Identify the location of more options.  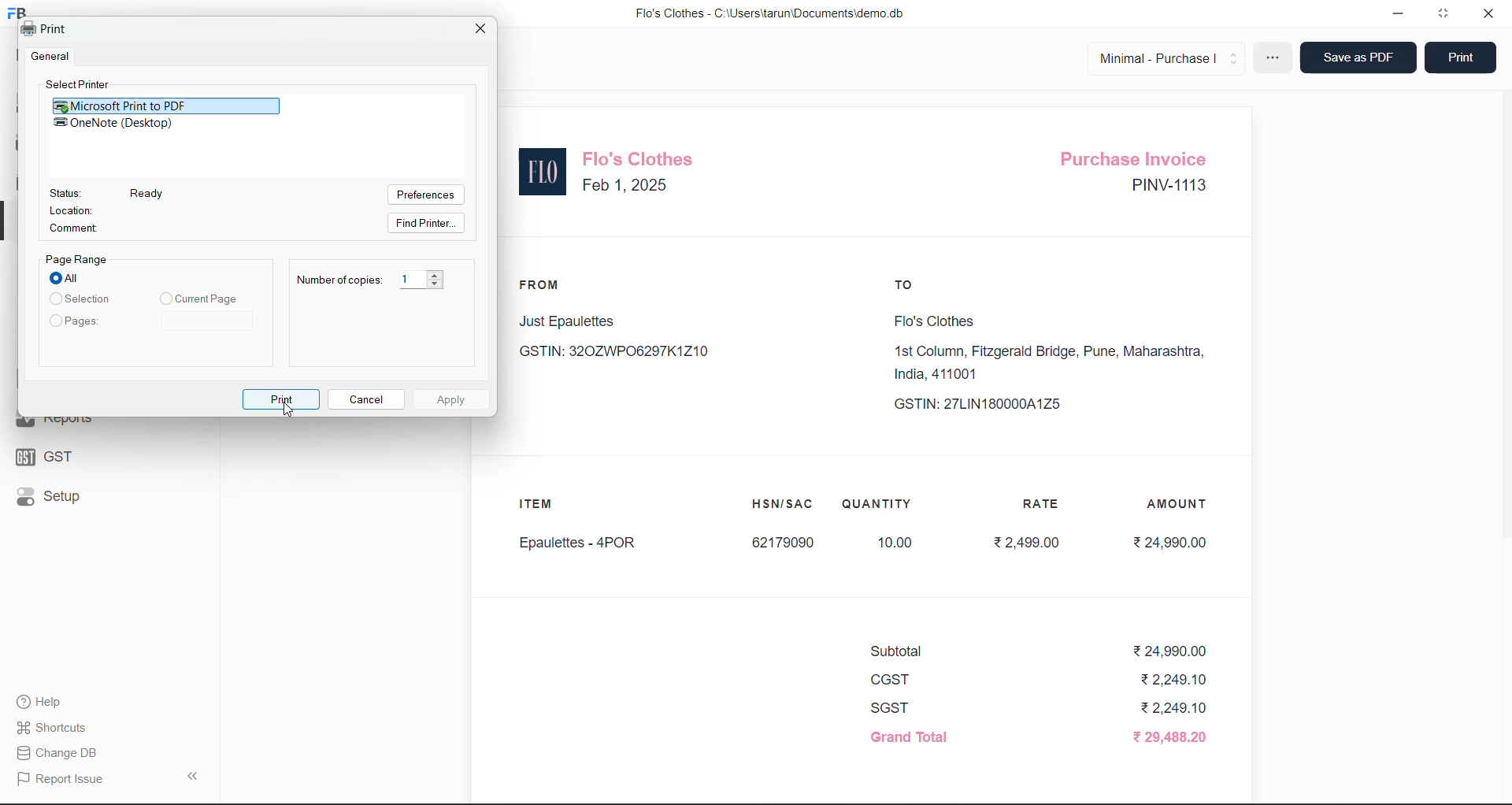
(1276, 60).